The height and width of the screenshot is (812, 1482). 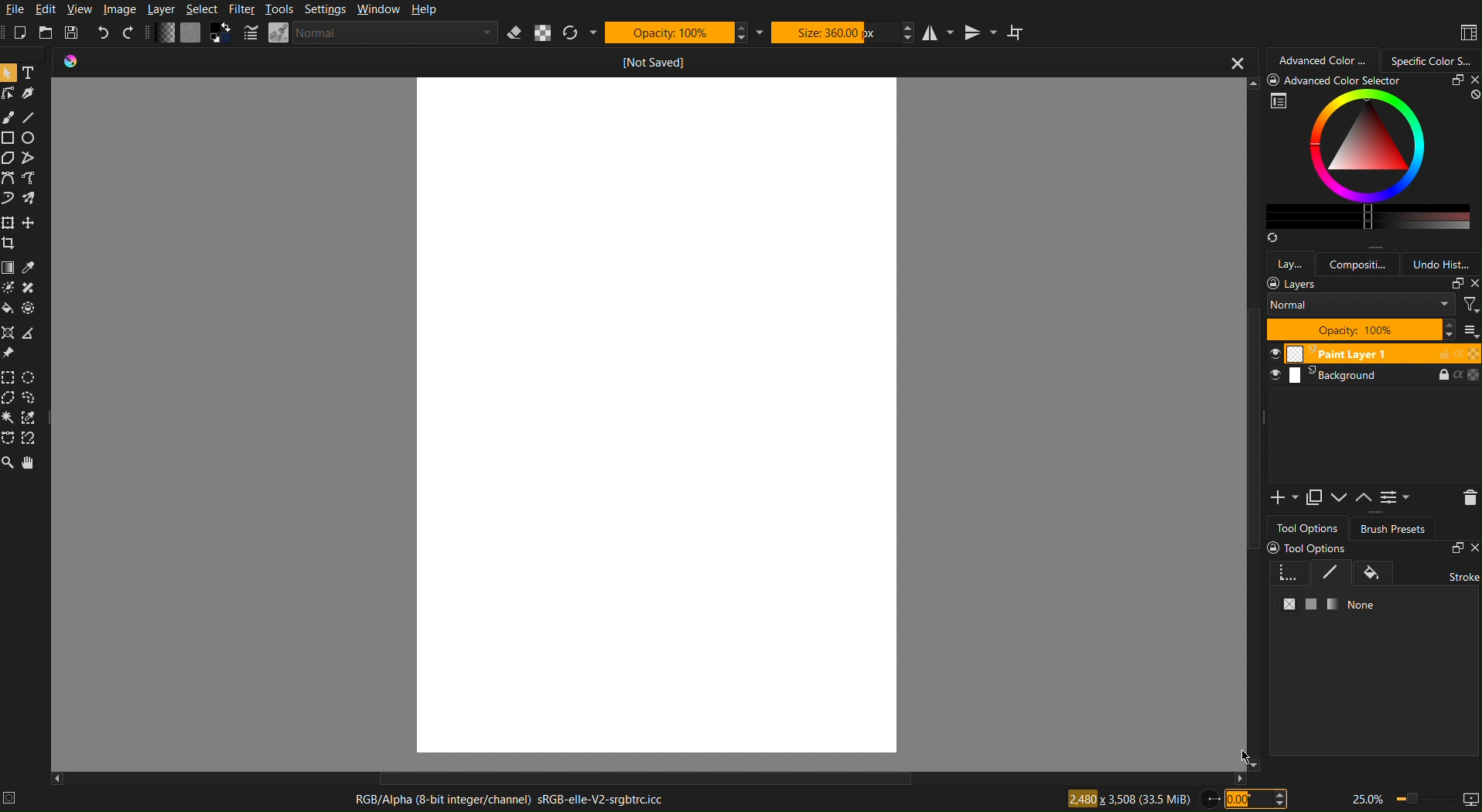 I want to click on Square, so click(x=9, y=136).